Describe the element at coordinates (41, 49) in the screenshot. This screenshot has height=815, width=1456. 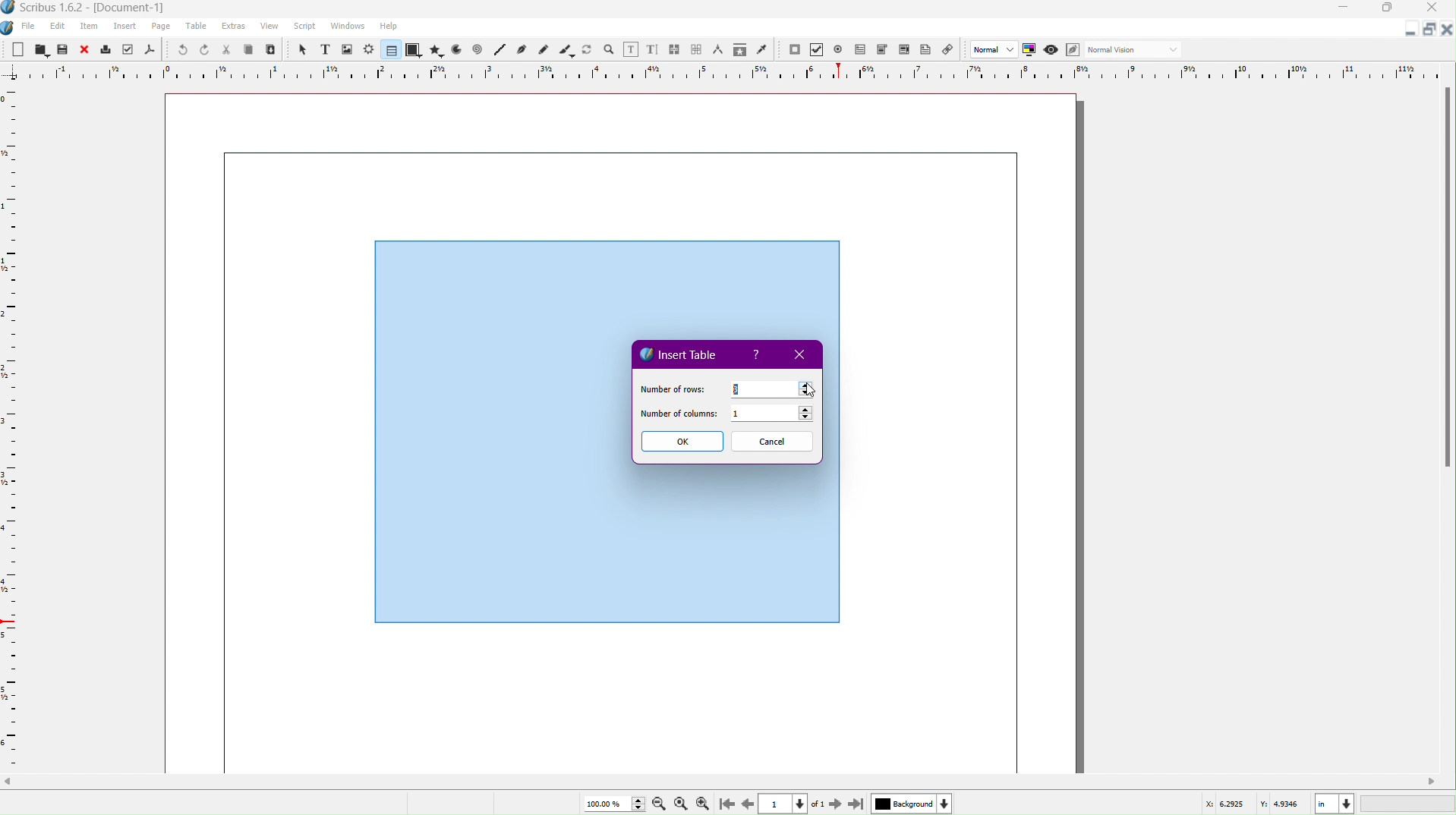
I see `Open` at that location.